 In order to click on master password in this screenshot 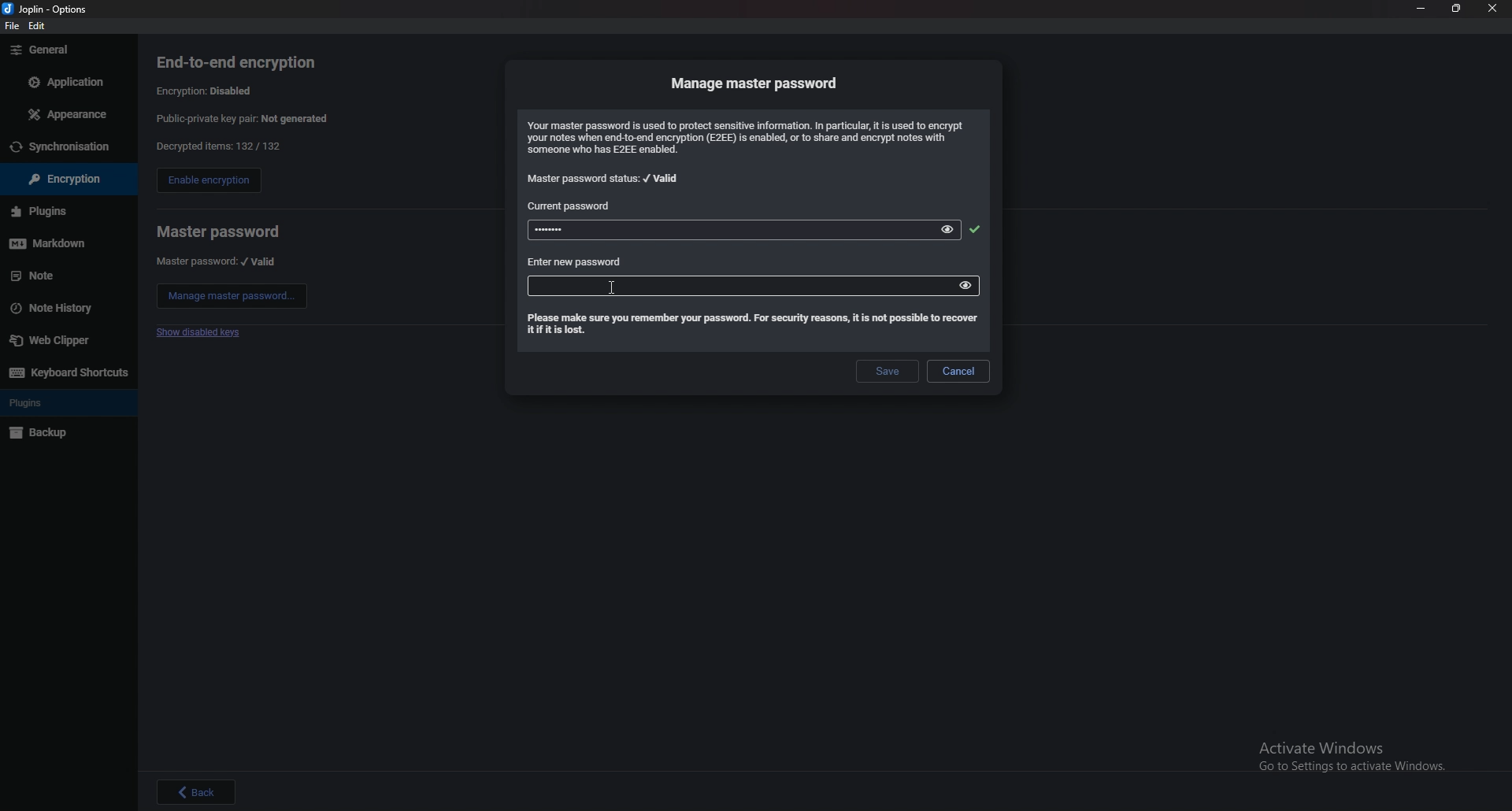, I will do `click(218, 231)`.